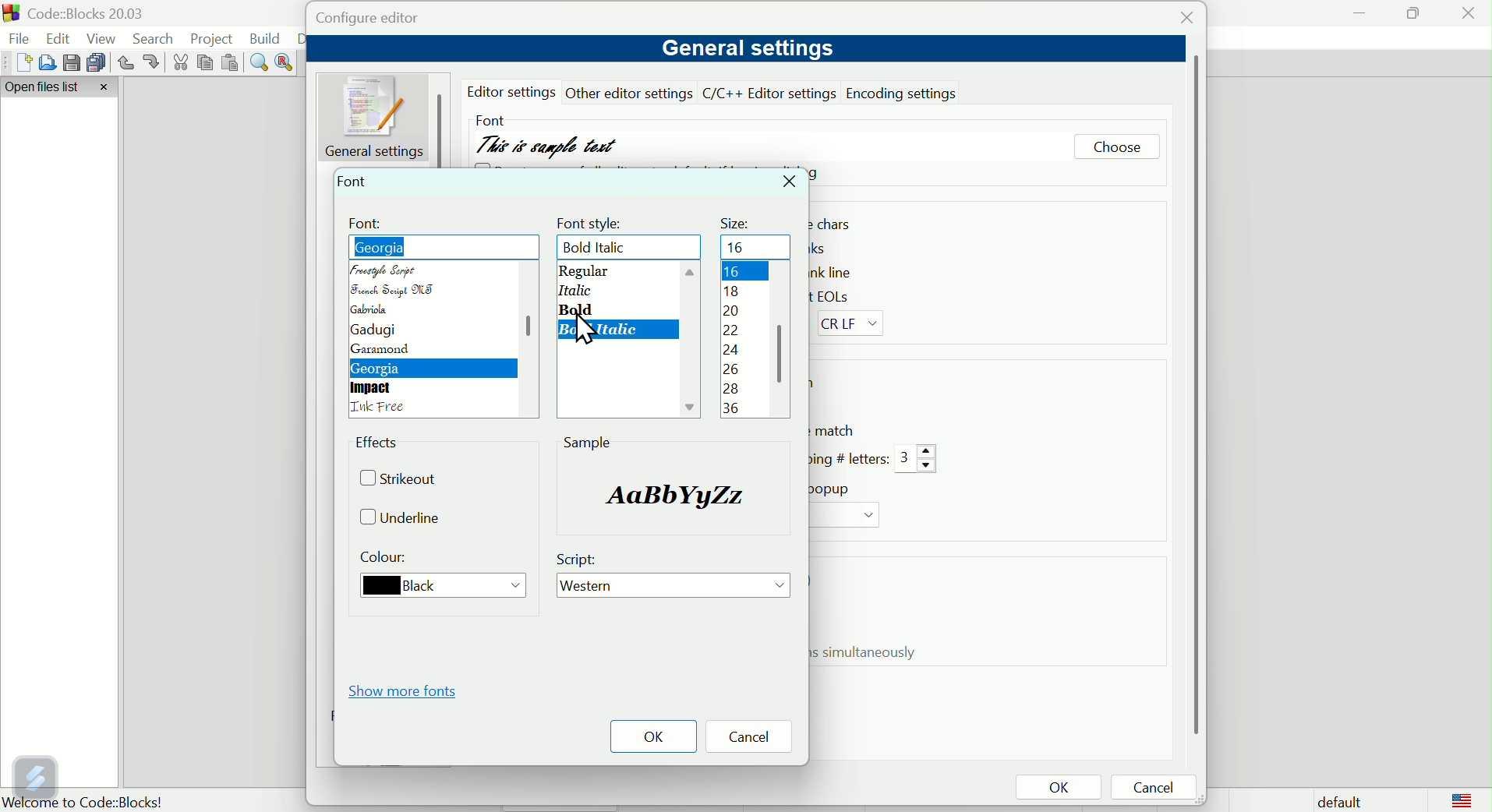 The height and width of the screenshot is (812, 1492). I want to click on Copy, so click(206, 63).